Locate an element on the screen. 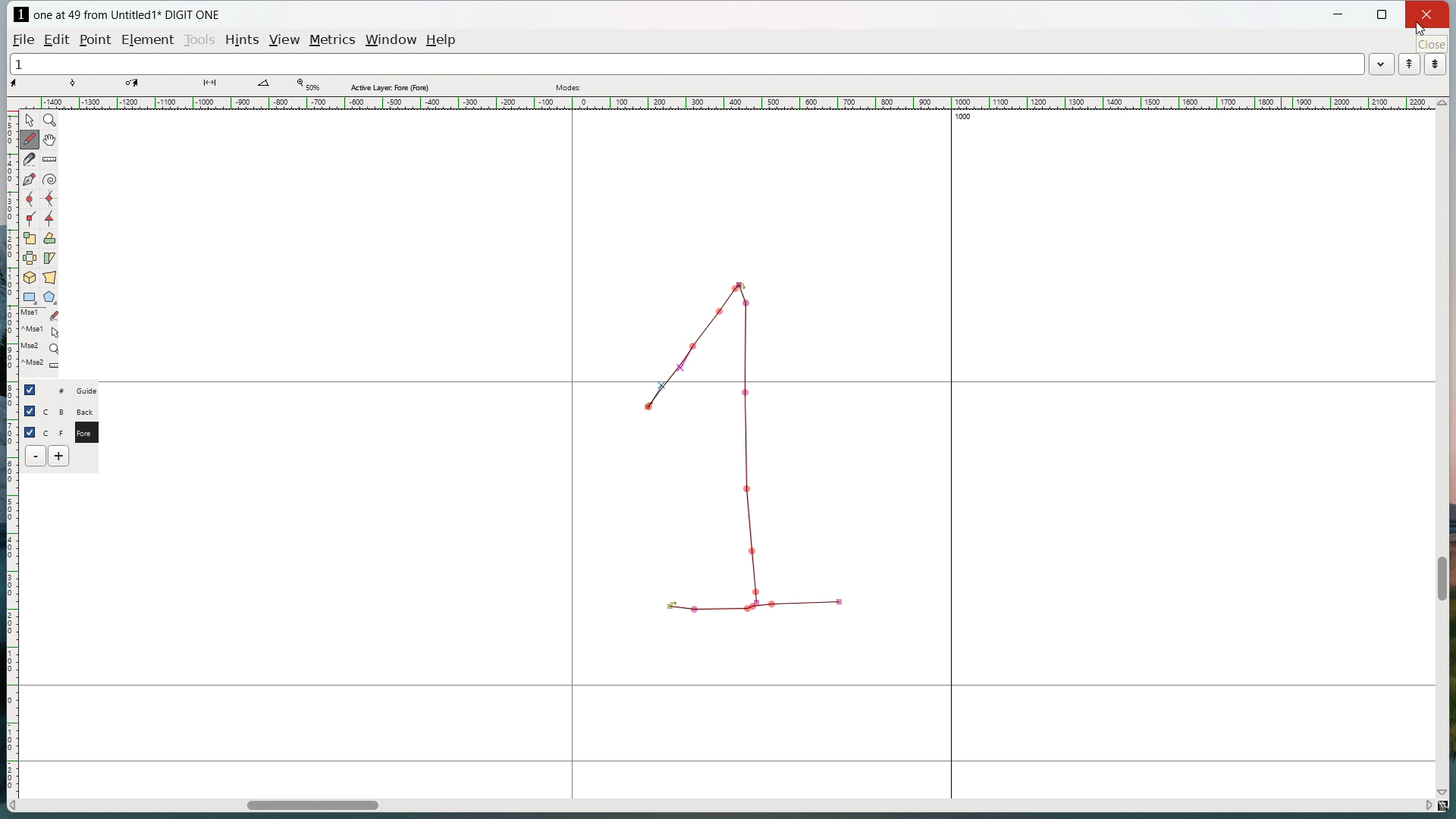  hints is located at coordinates (243, 41).